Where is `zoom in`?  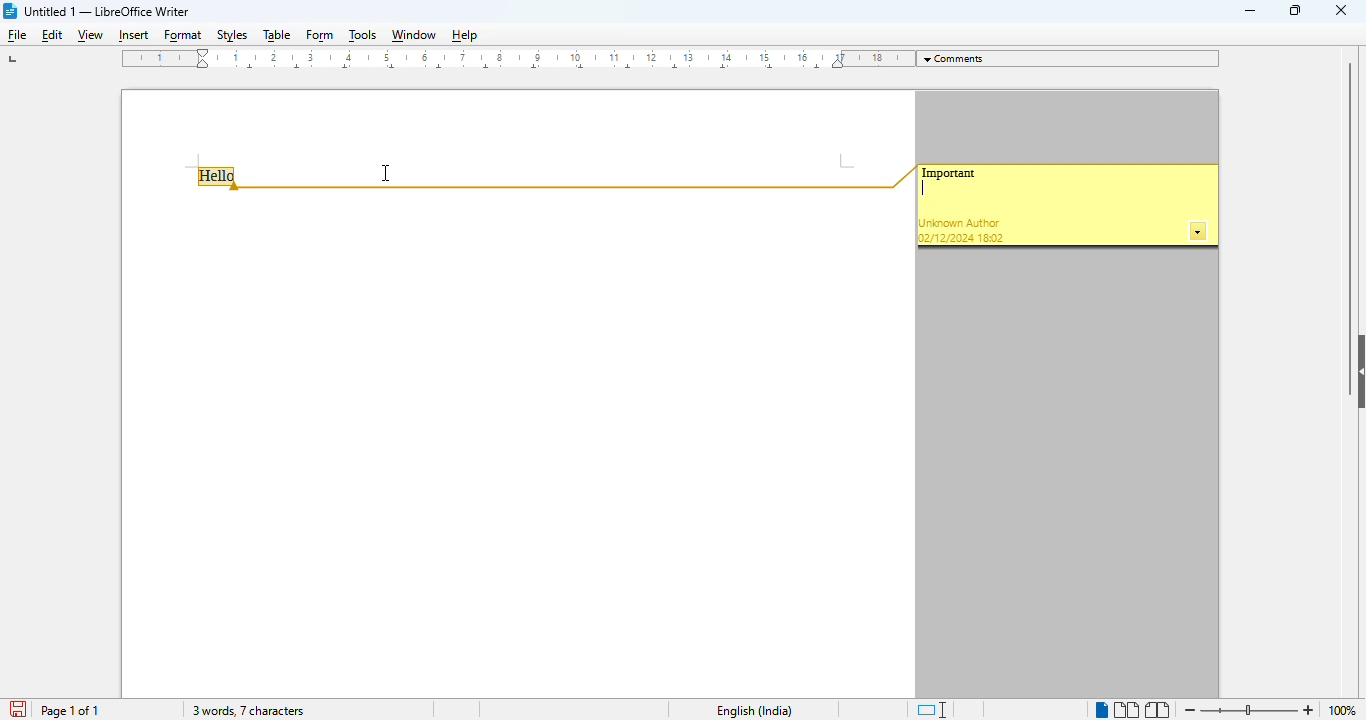
zoom in is located at coordinates (1308, 711).